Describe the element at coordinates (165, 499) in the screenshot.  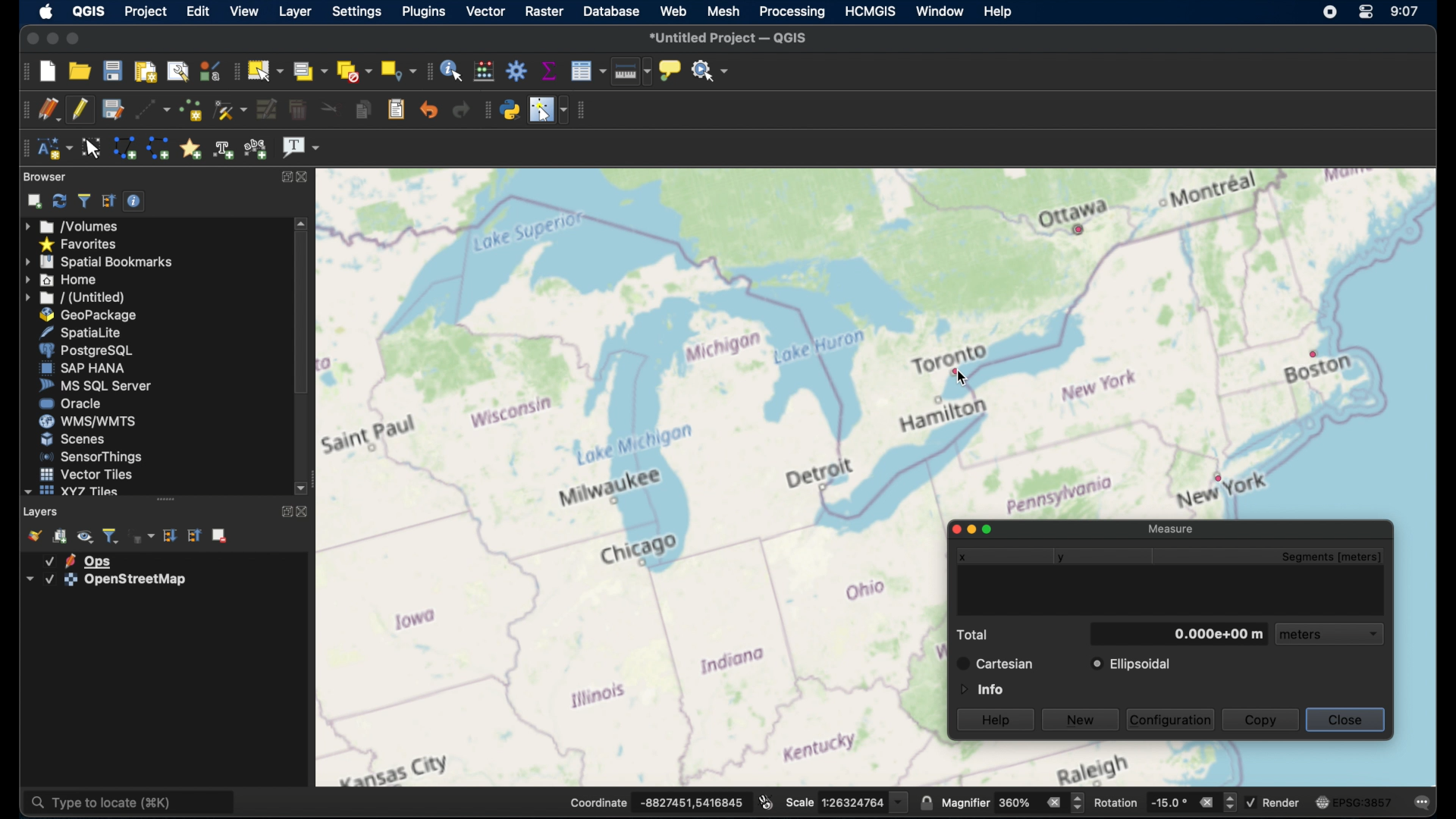
I see `drag handle` at that location.